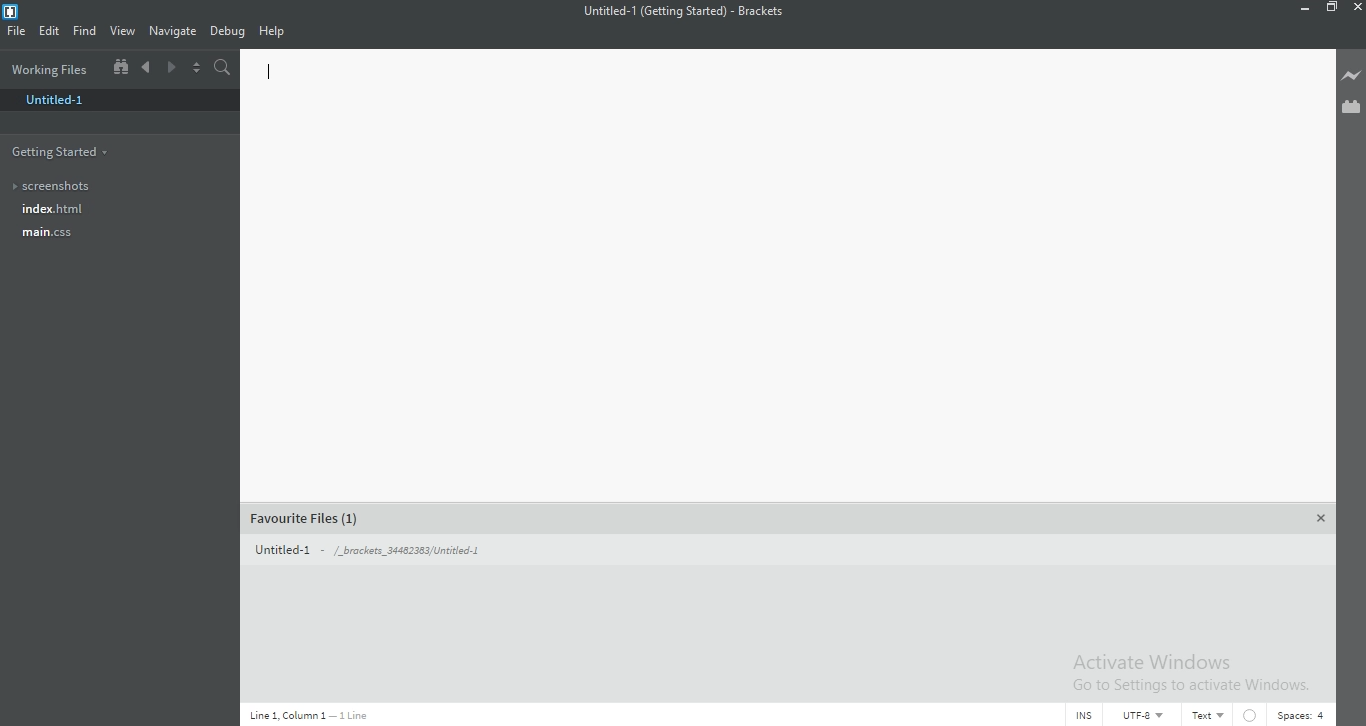 This screenshot has width=1366, height=726. Describe the element at coordinates (85, 32) in the screenshot. I see `Find` at that location.